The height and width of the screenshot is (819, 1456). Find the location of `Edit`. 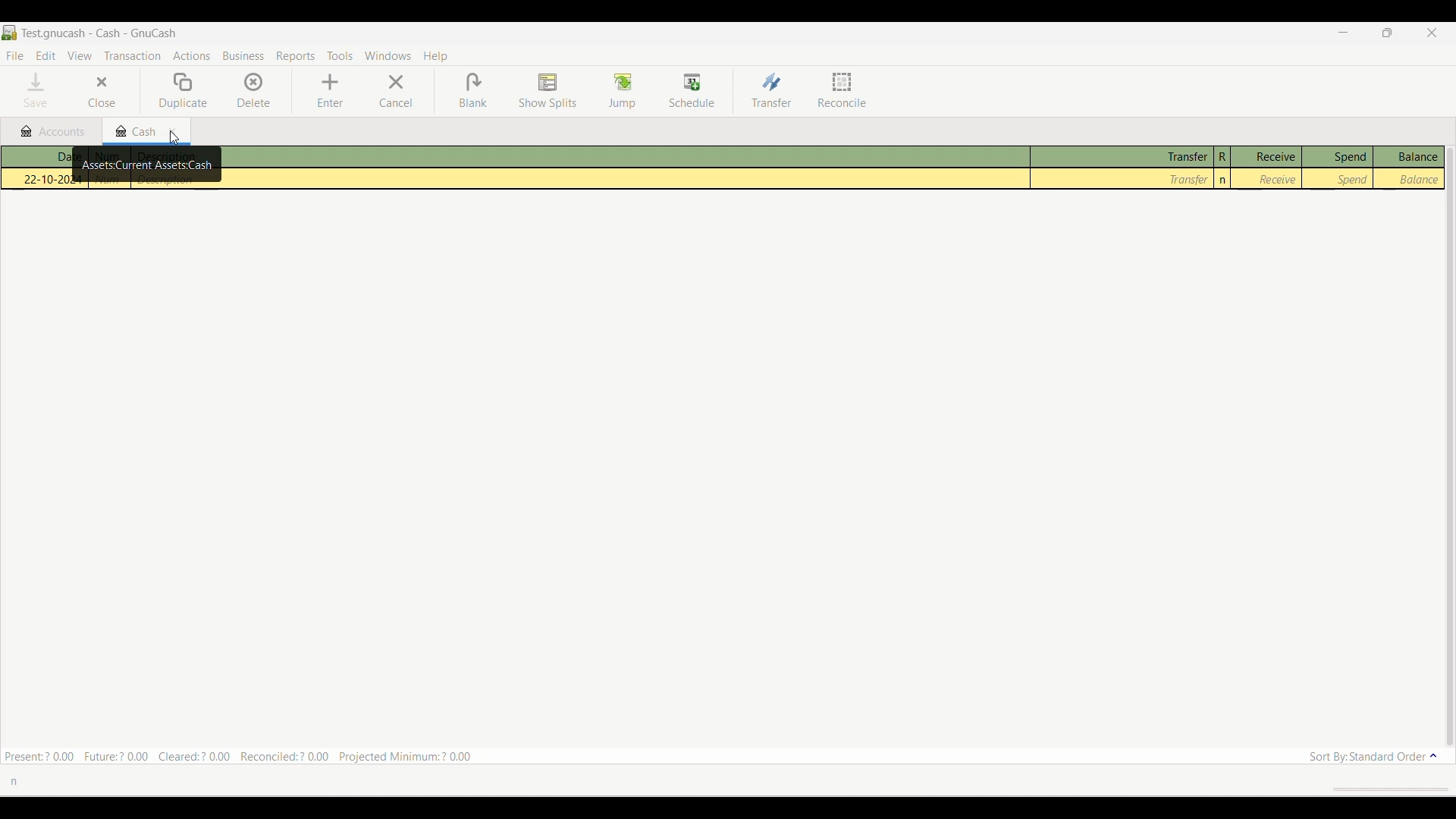

Edit is located at coordinates (46, 55).